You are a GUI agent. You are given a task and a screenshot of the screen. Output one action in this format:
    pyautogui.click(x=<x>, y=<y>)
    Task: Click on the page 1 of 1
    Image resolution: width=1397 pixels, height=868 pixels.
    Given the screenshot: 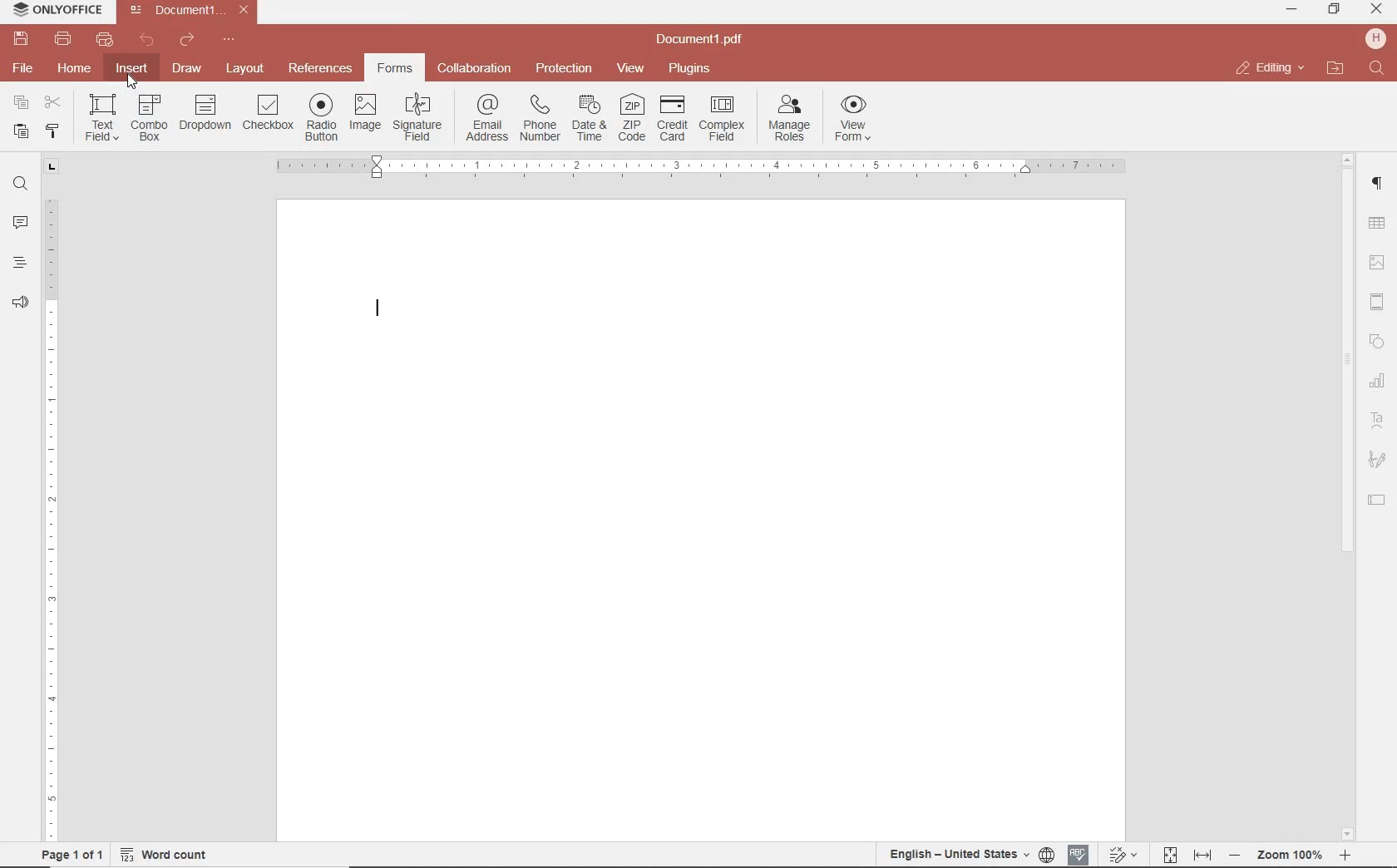 What is the action you would take?
    pyautogui.click(x=69, y=853)
    